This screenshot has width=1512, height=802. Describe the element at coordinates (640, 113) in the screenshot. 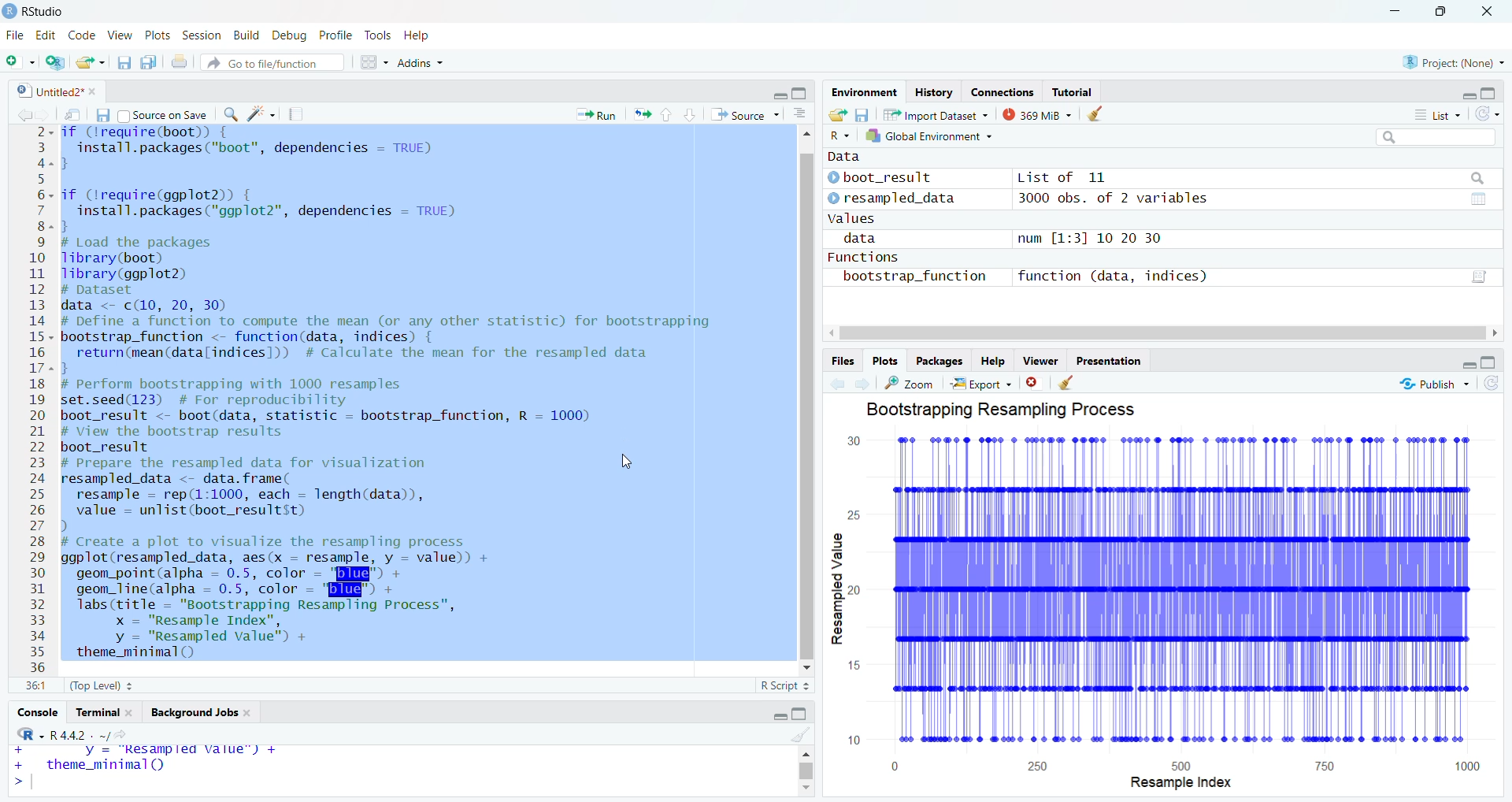

I see `re run the previous code` at that location.